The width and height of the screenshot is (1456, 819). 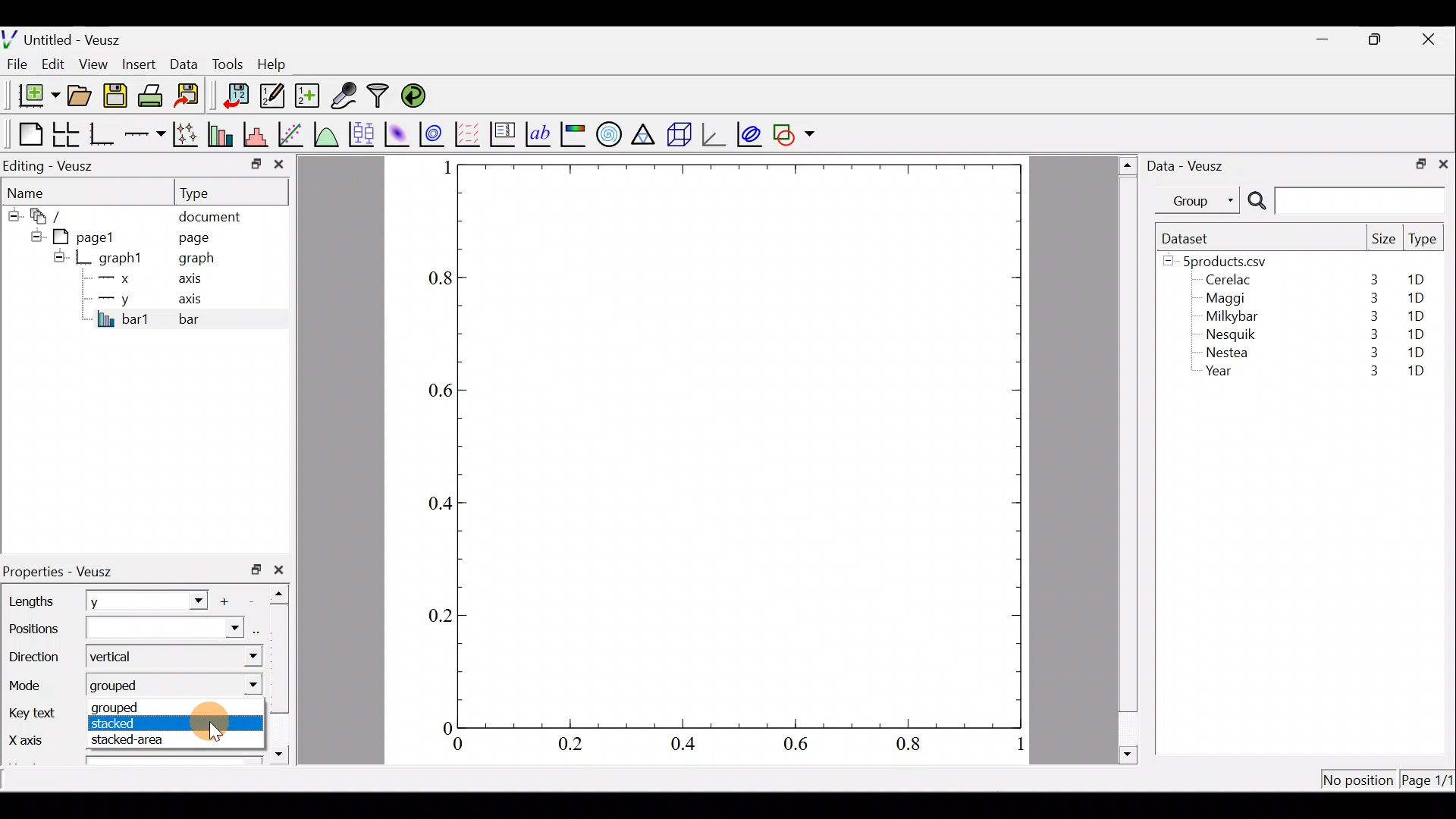 What do you see at coordinates (27, 741) in the screenshot?
I see `X axis` at bounding box center [27, 741].